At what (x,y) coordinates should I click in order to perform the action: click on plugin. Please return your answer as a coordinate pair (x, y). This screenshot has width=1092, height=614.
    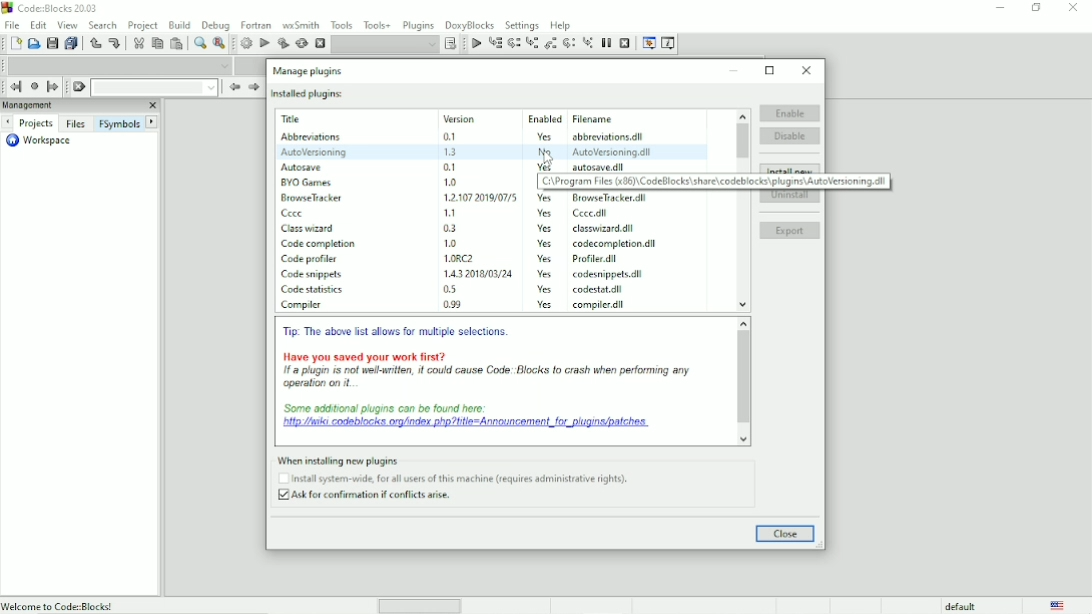
    Looking at the image, I should click on (303, 165).